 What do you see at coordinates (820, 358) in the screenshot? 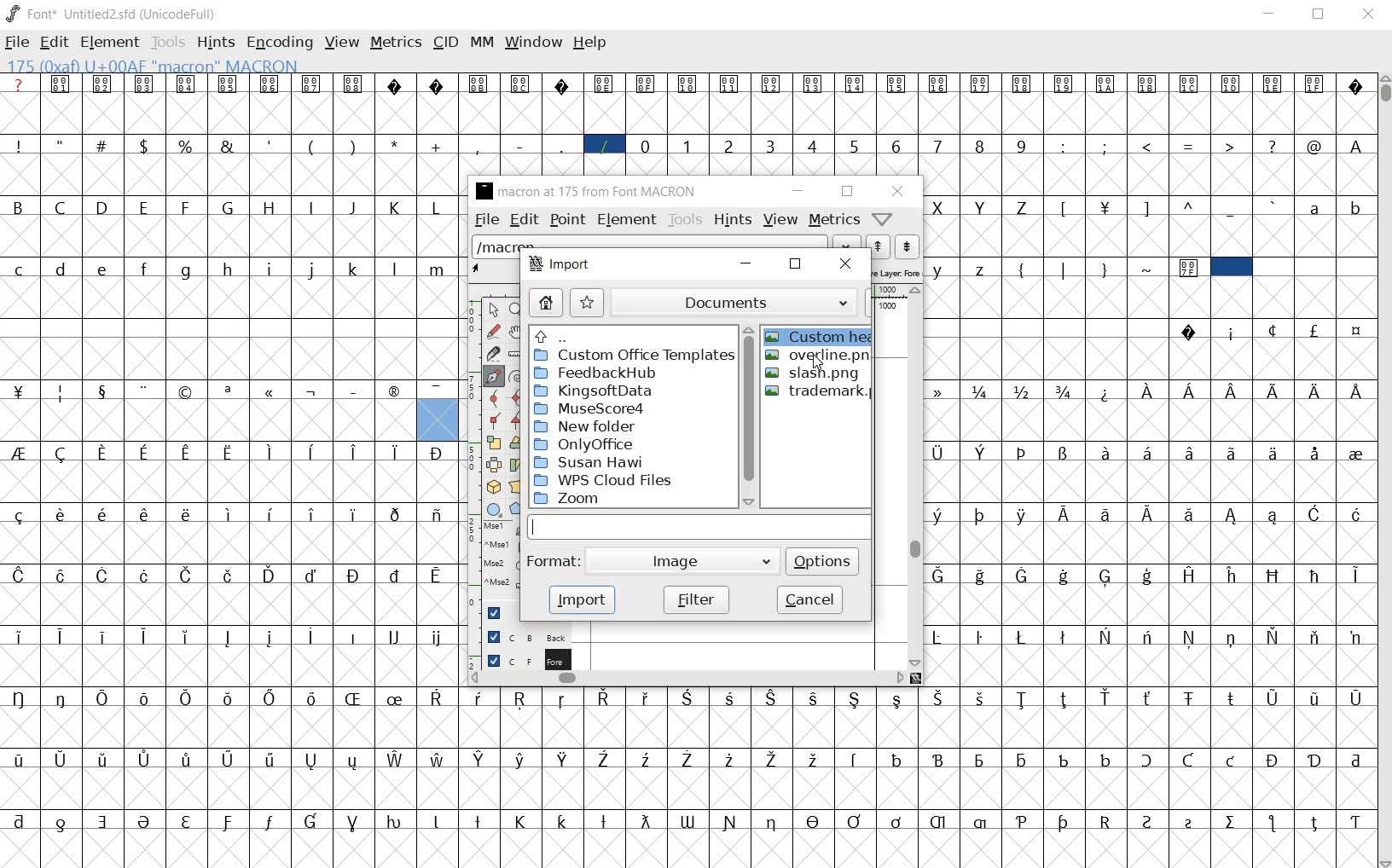
I see `overline.pn` at bounding box center [820, 358].